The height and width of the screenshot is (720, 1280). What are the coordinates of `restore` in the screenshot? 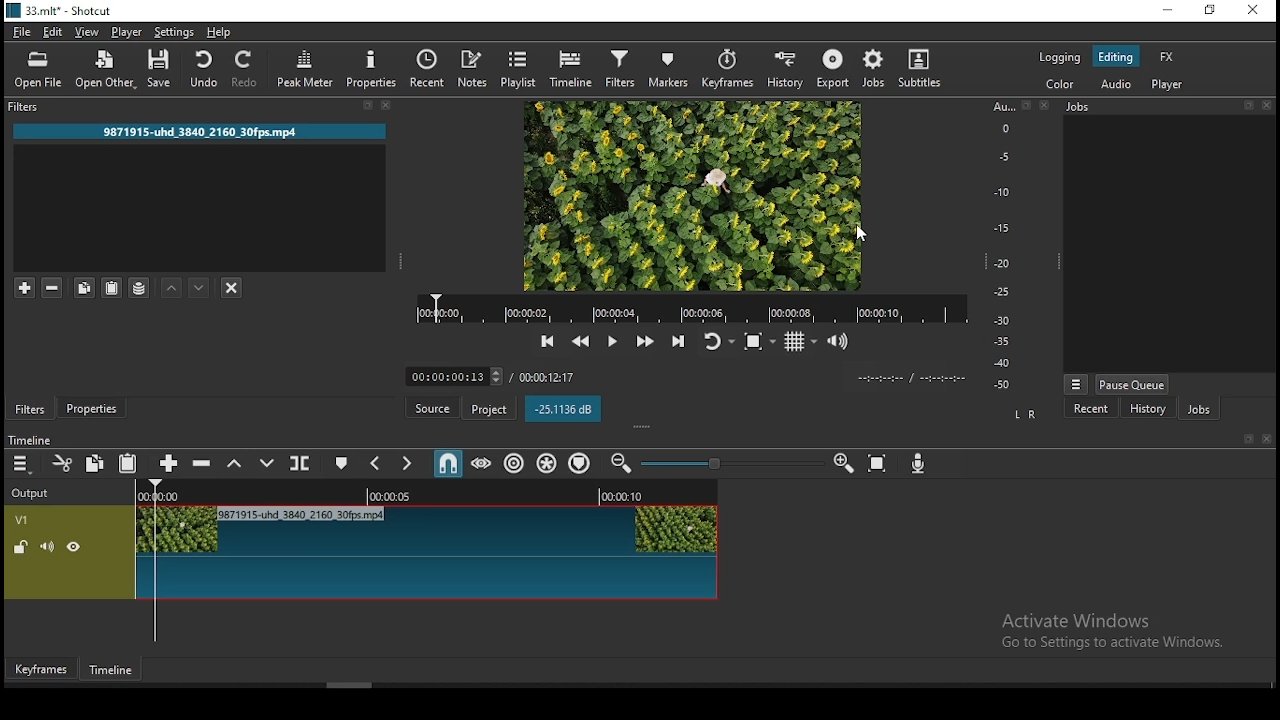 It's located at (1211, 10).